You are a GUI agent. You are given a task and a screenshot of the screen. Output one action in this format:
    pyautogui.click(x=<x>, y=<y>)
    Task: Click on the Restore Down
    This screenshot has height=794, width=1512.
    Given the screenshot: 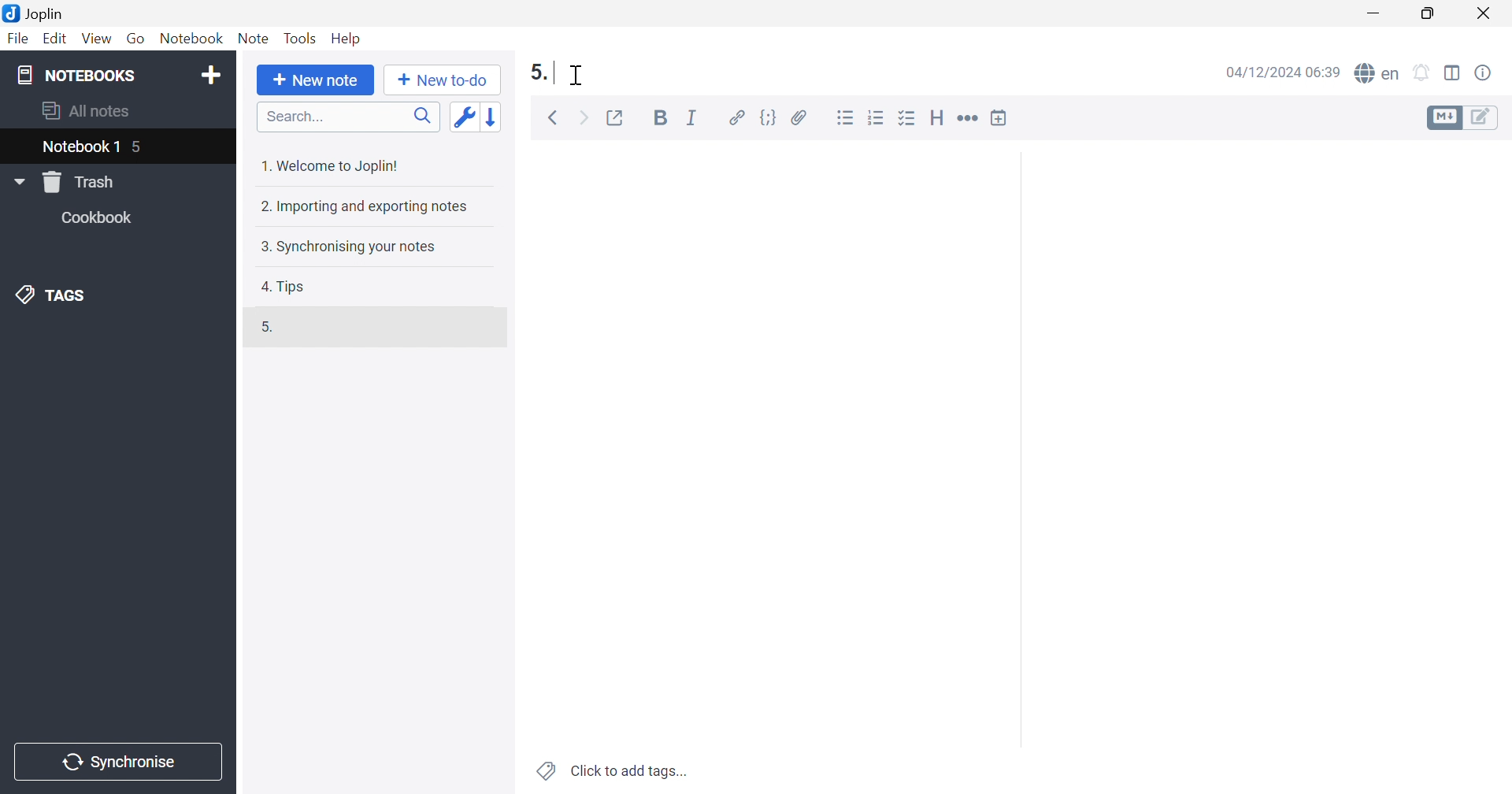 What is the action you would take?
    pyautogui.click(x=1430, y=15)
    